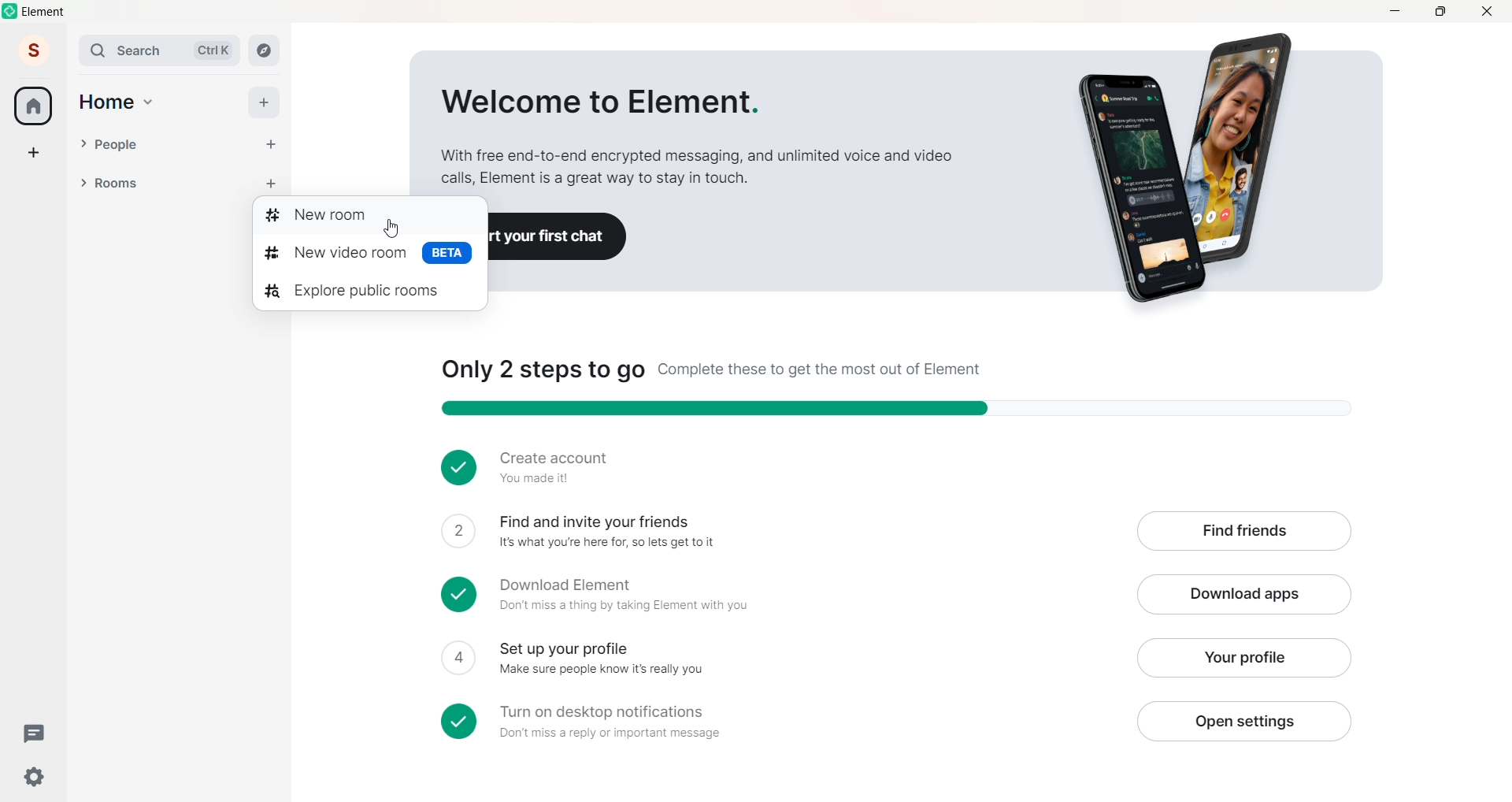 This screenshot has width=1512, height=802. I want to click on Home Drop Down, so click(149, 102).